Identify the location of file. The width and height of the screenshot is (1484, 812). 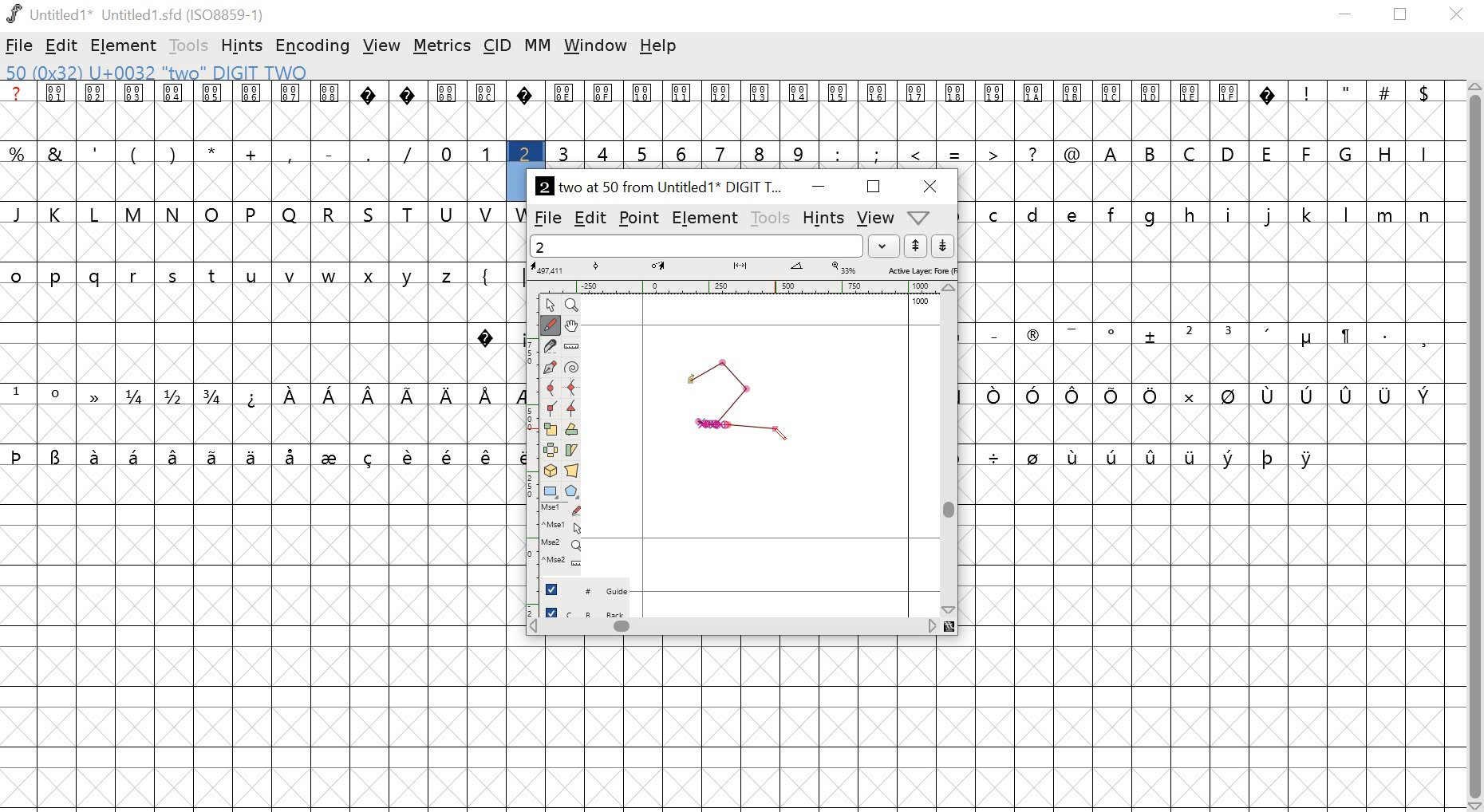
(21, 45).